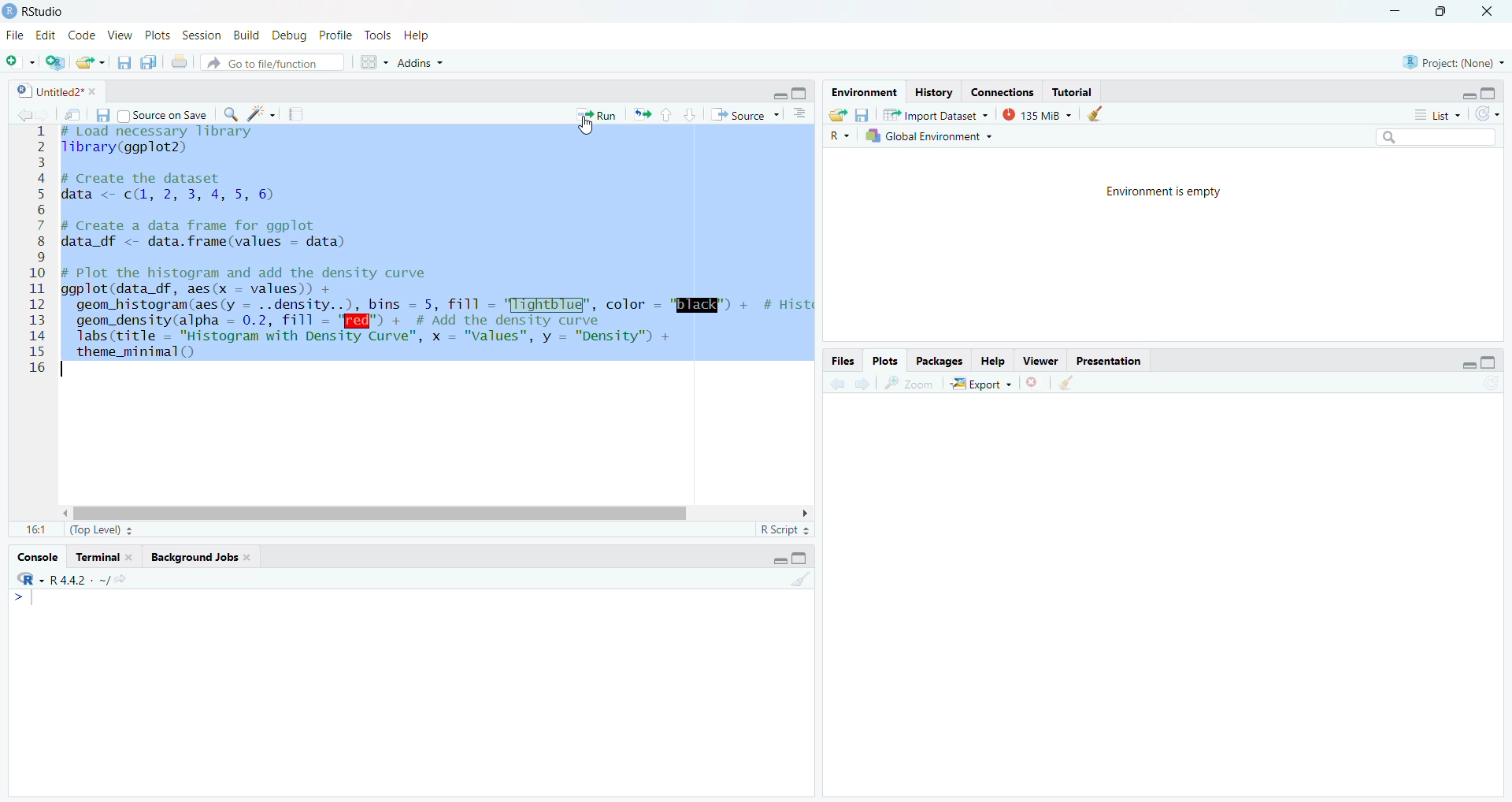 Image resolution: width=1512 pixels, height=802 pixels. Describe the element at coordinates (208, 236) in the screenshot. I see `# Create a data frame for ggplot
data_df <- data.frame(values = data)` at that location.